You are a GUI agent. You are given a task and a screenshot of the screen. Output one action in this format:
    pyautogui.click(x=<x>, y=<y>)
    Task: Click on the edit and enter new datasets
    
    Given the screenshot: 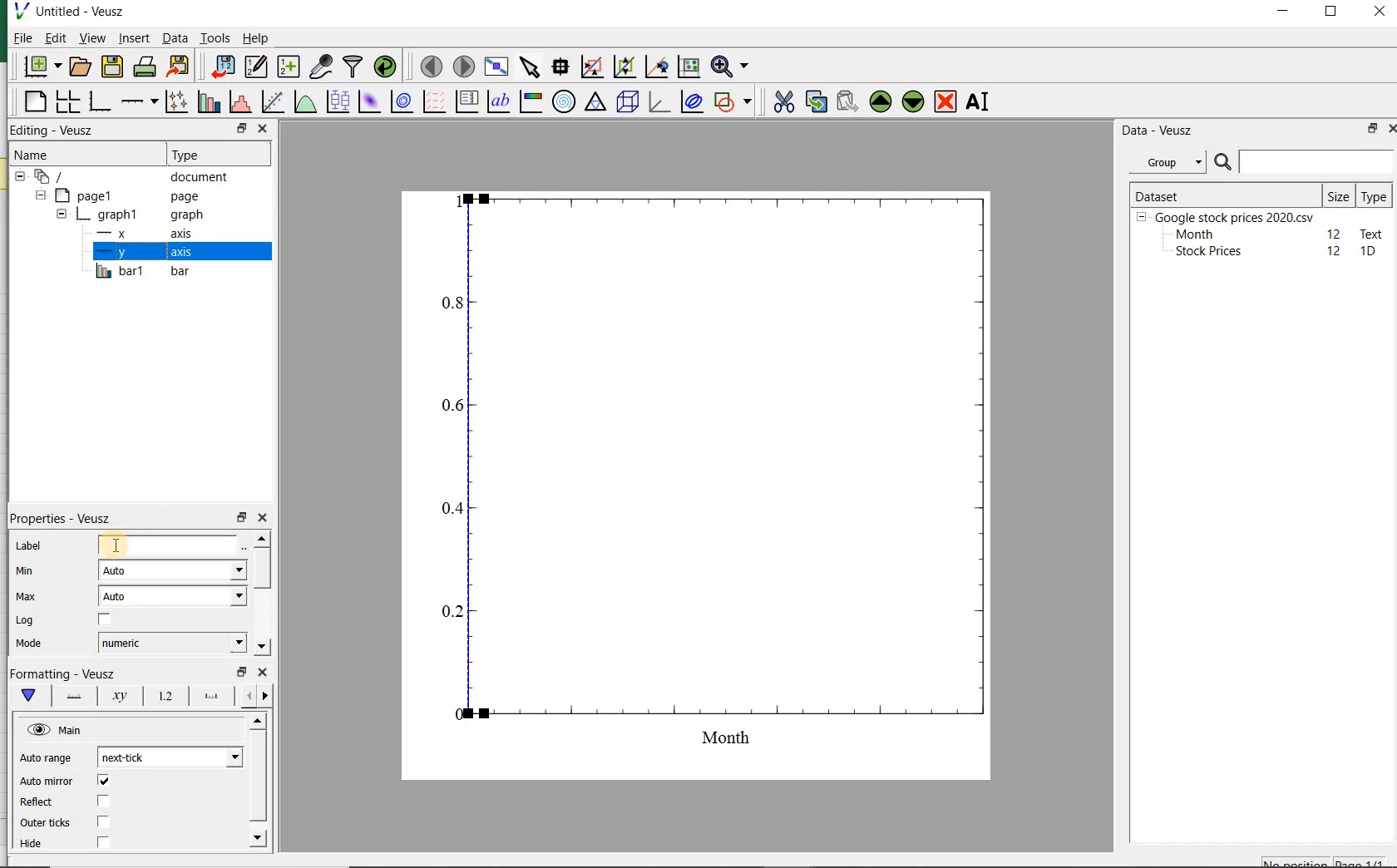 What is the action you would take?
    pyautogui.click(x=255, y=67)
    